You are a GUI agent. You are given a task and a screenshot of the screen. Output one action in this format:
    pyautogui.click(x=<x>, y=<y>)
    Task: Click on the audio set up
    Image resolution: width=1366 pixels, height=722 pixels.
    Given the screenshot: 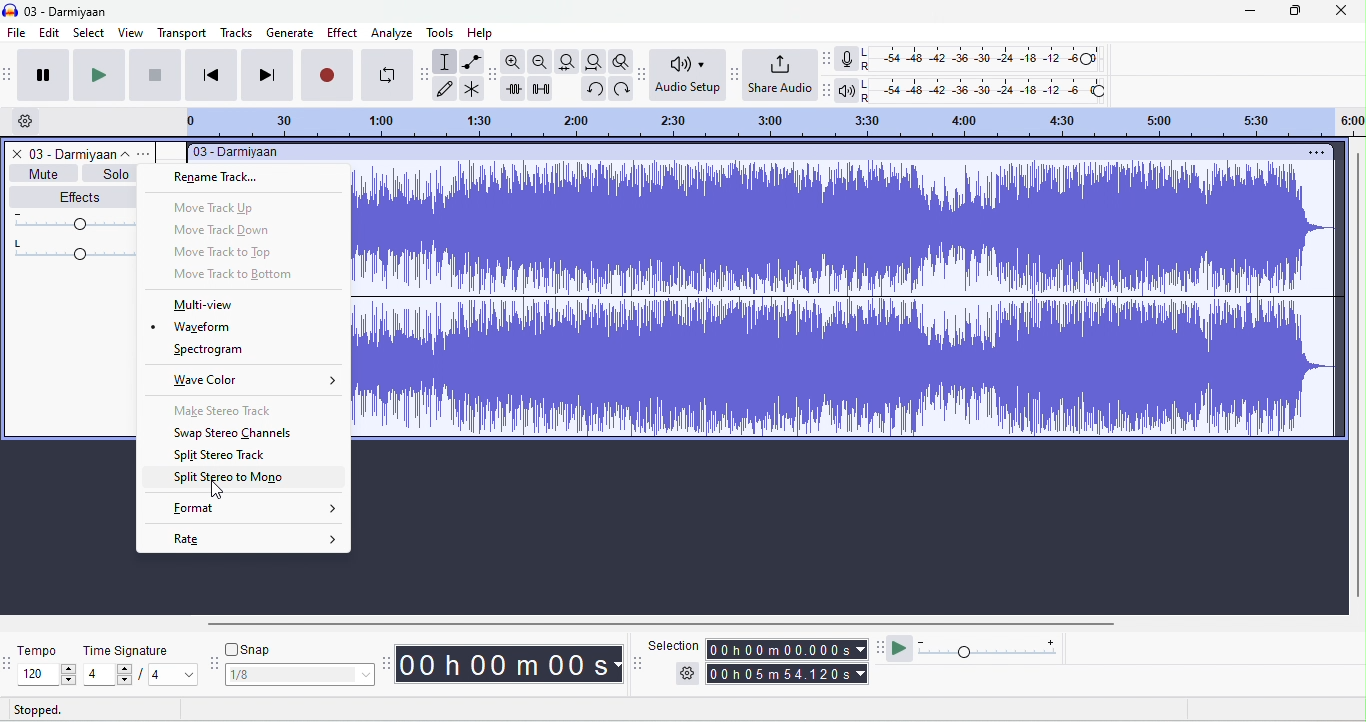 What is the action you would take?
    pyautogui.click(x=688, y=75)
    